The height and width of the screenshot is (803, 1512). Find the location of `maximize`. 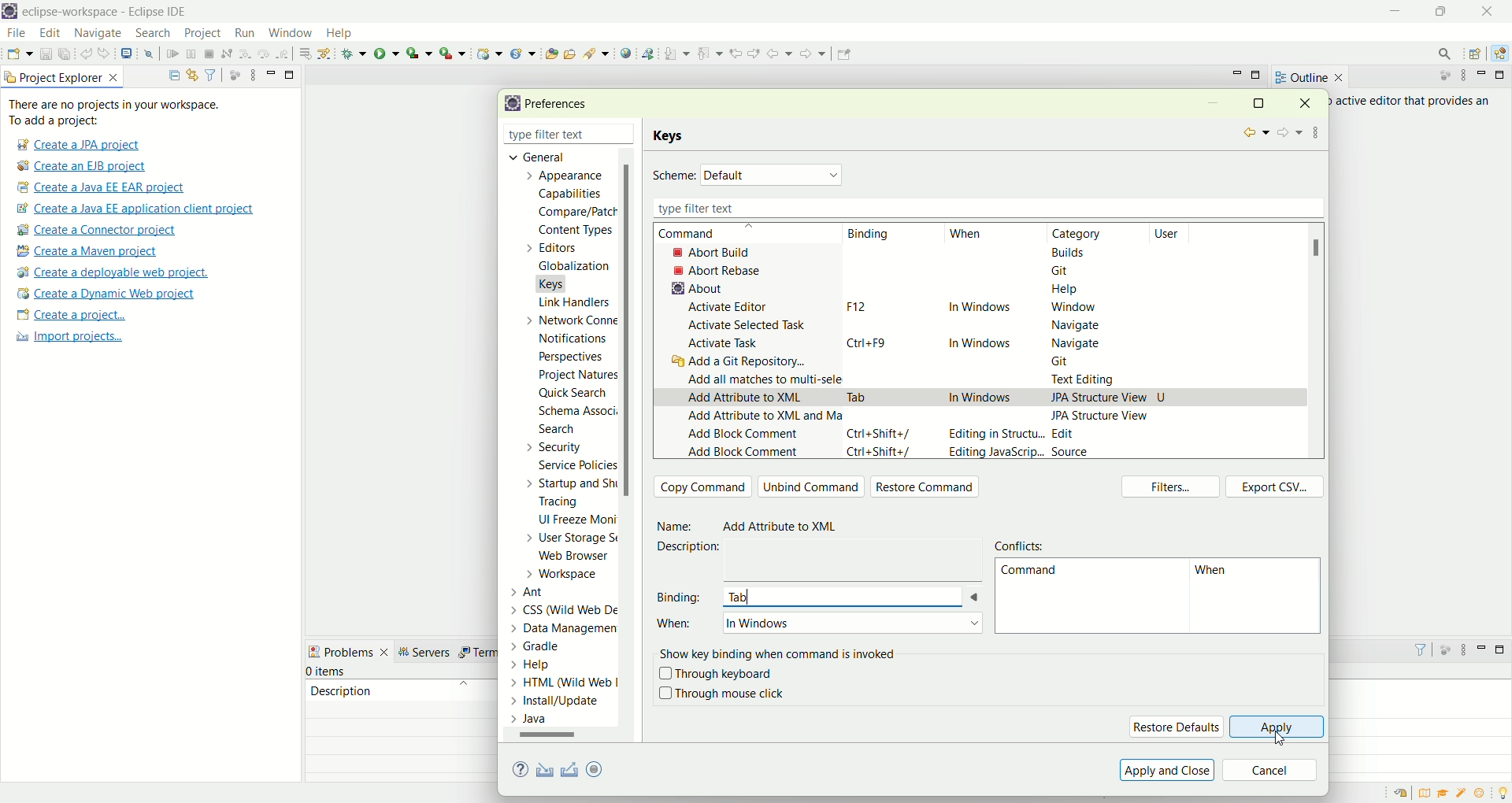

maximize is located at coordinates (1503, 649).